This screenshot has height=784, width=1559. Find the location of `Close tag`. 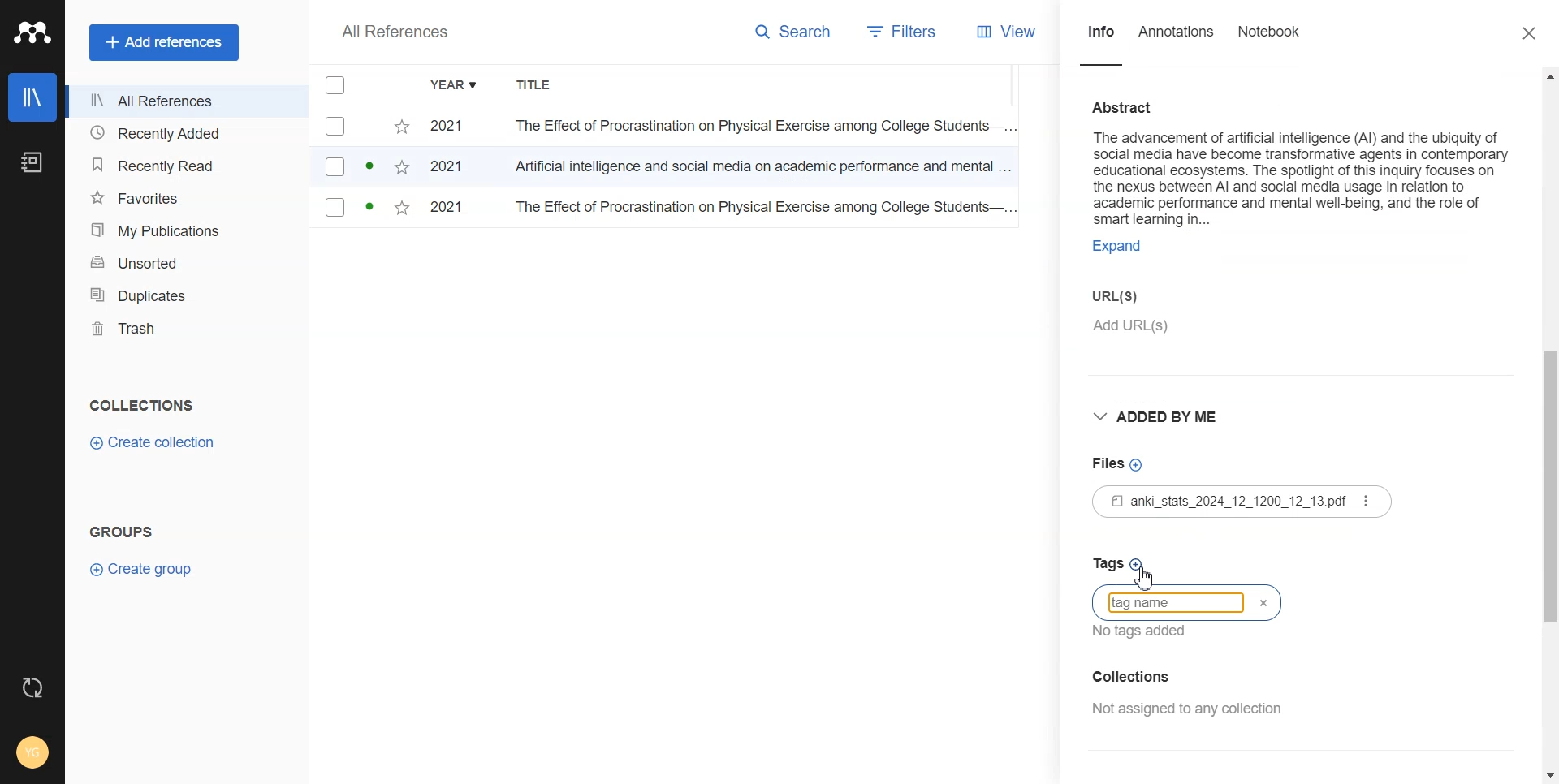

Close tag is located at coordinates (1271, 602).